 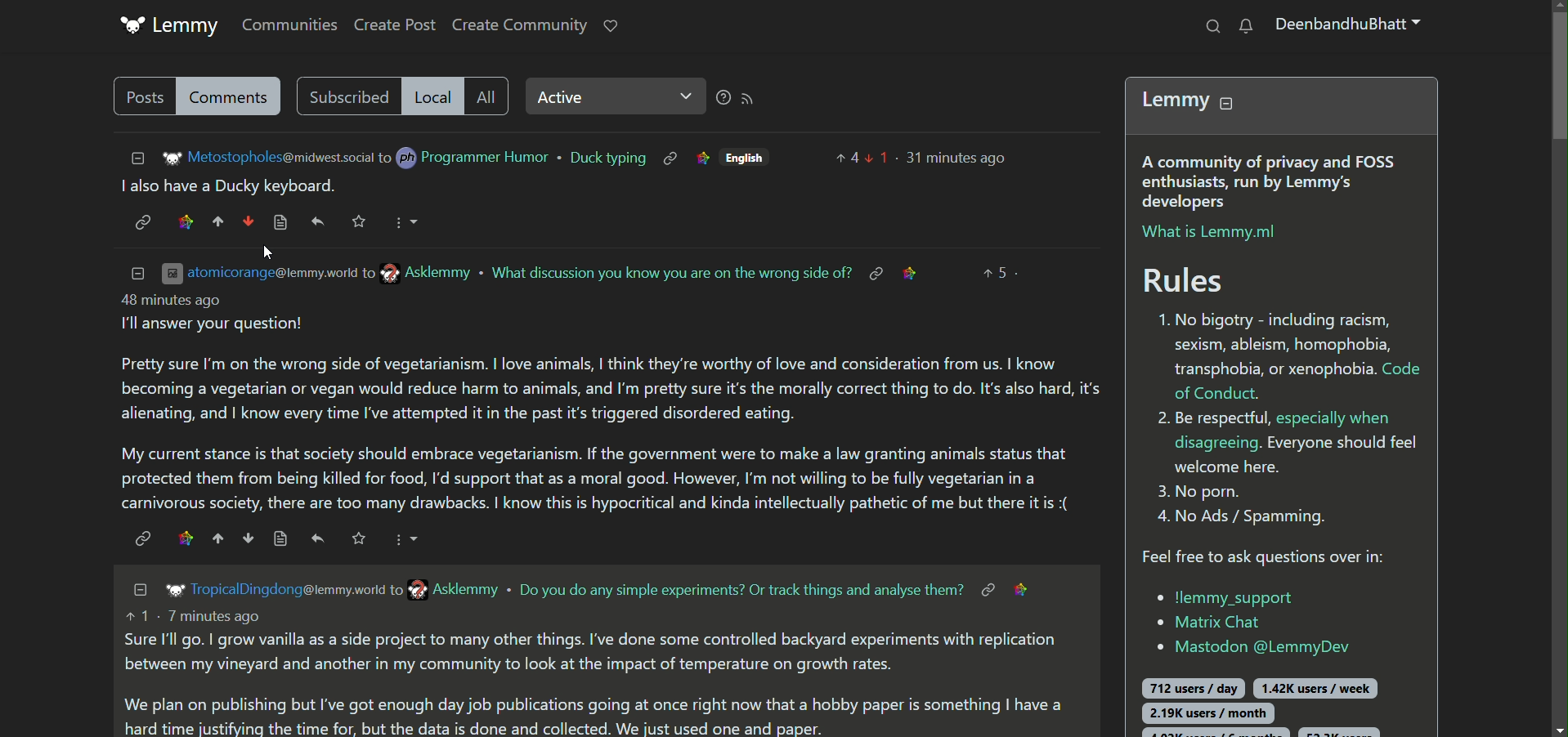 What do you see at coordinates (245, 538) in the screenshot?
I see `downvote` at bounding box center [245, 538].